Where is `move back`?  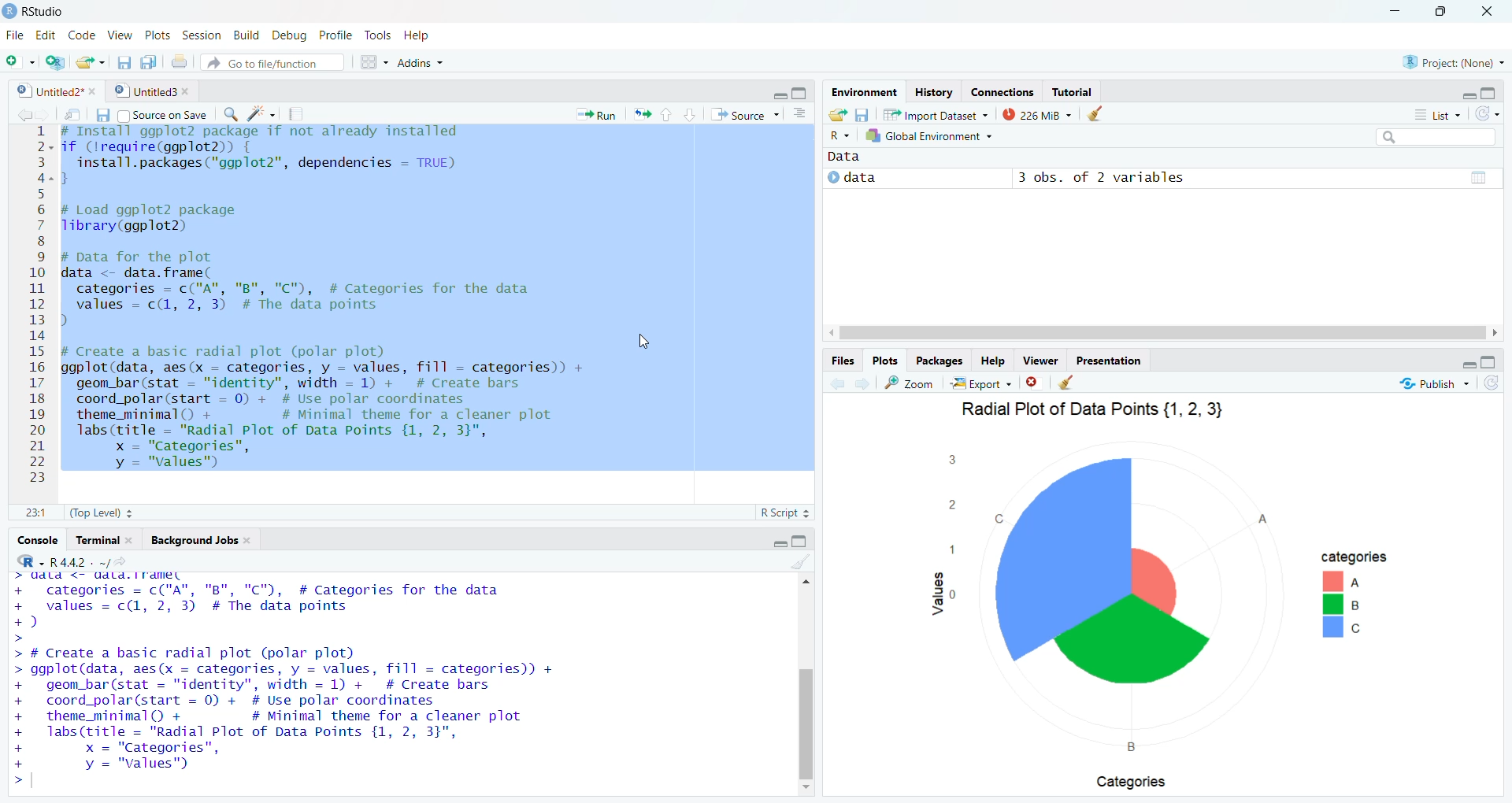 move back is located at coordinates (839, 383).